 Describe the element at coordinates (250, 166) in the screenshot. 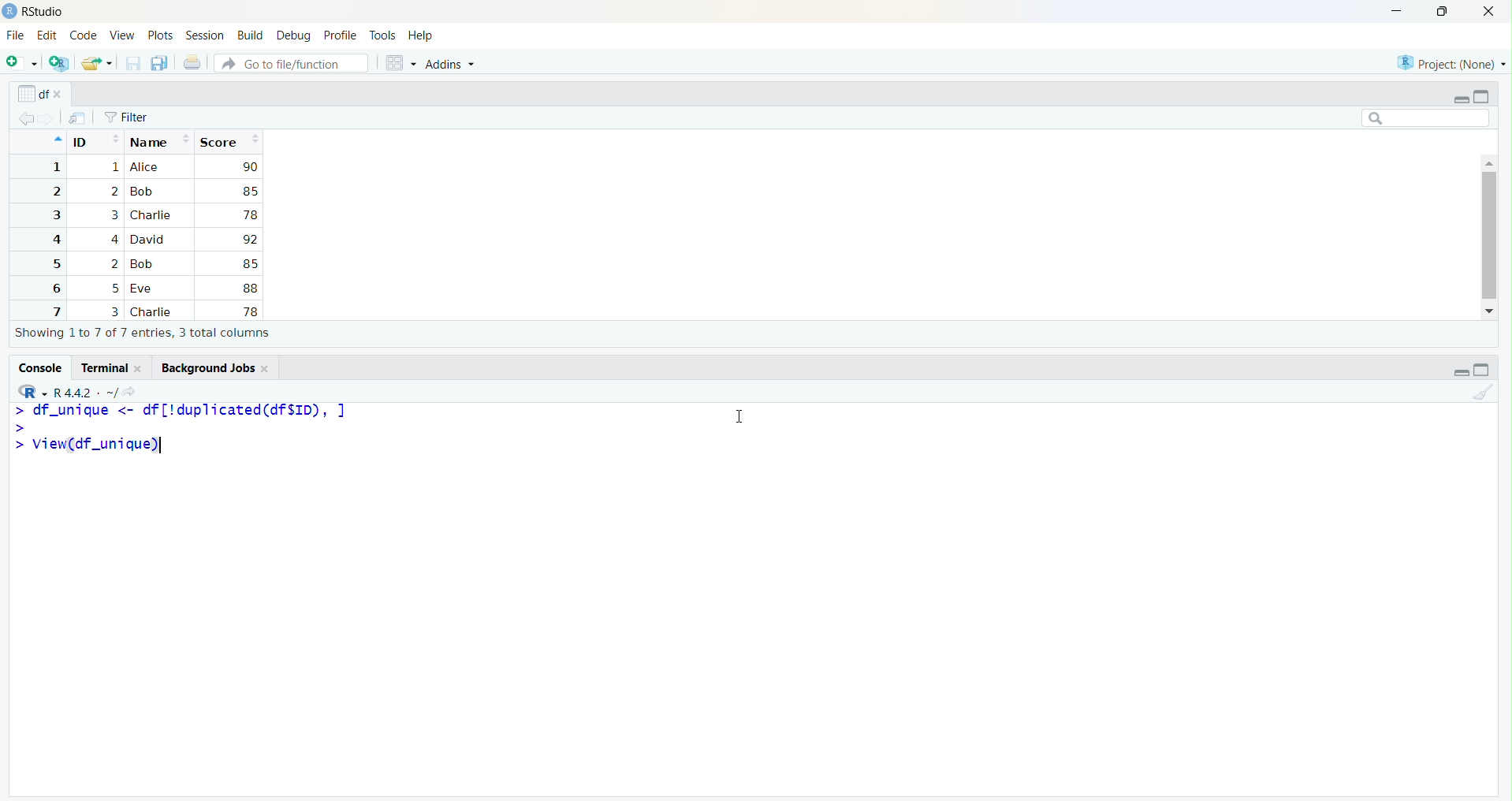

I see `90` at that location.